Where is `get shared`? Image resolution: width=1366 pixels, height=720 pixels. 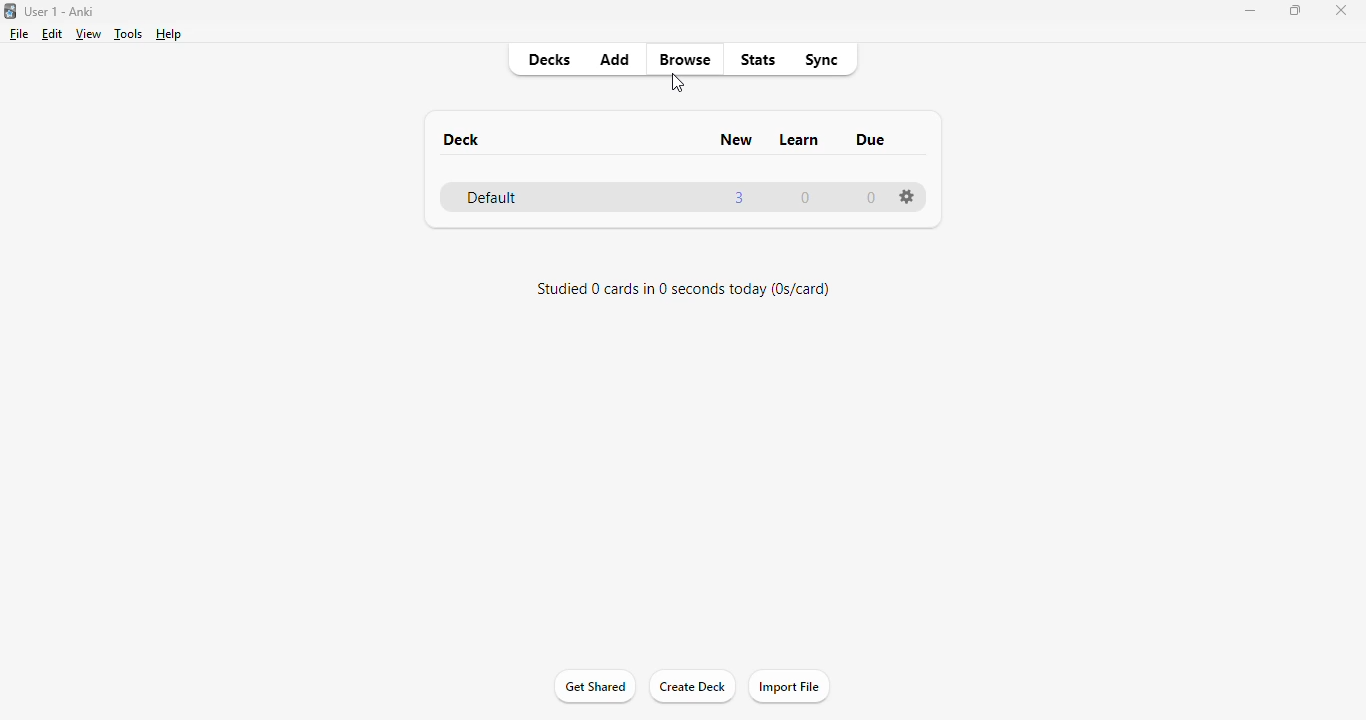 get shared is located at coordinates (594, 687).